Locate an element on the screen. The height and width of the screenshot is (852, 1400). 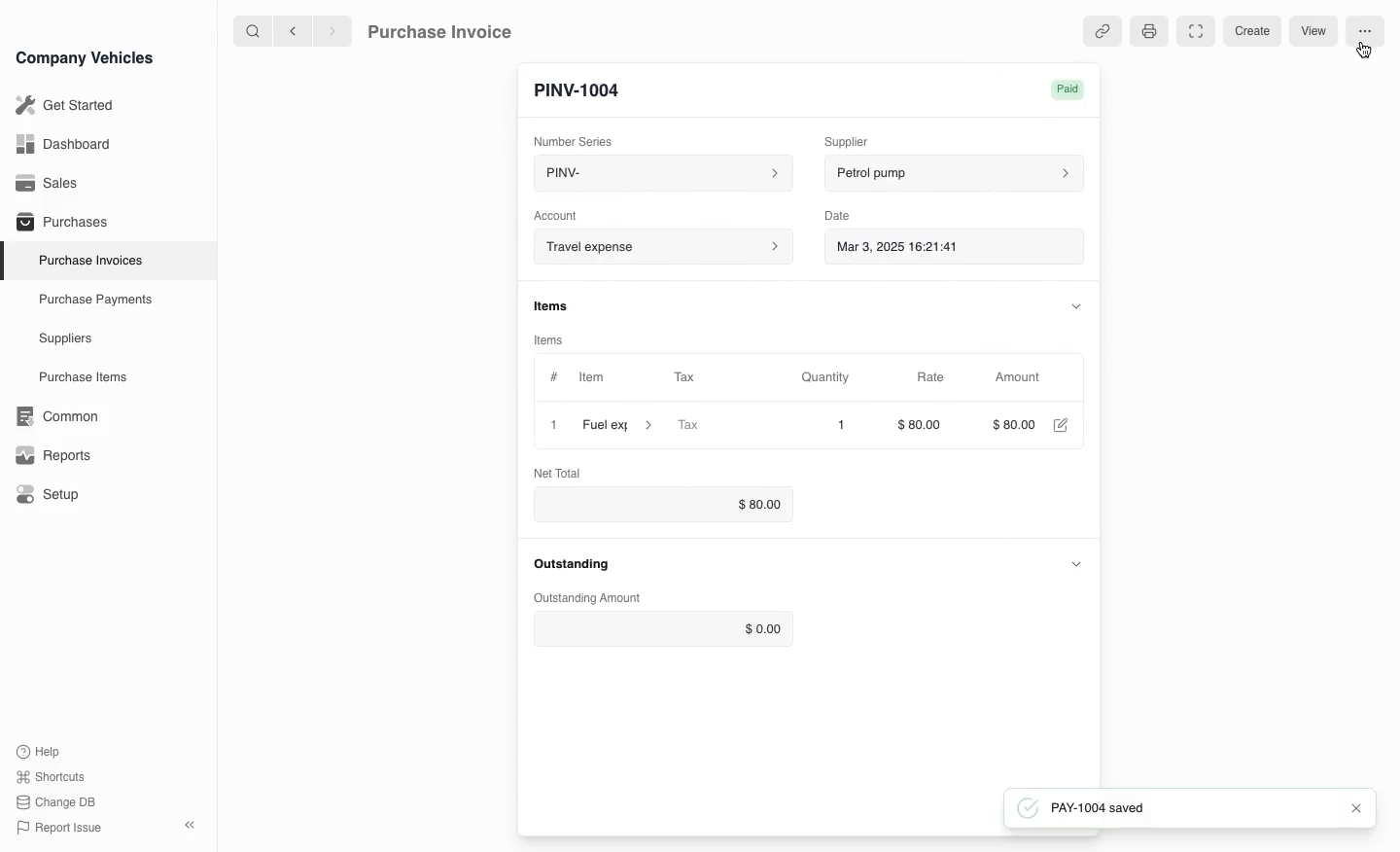
Tax is located at coordinates (709, 378).